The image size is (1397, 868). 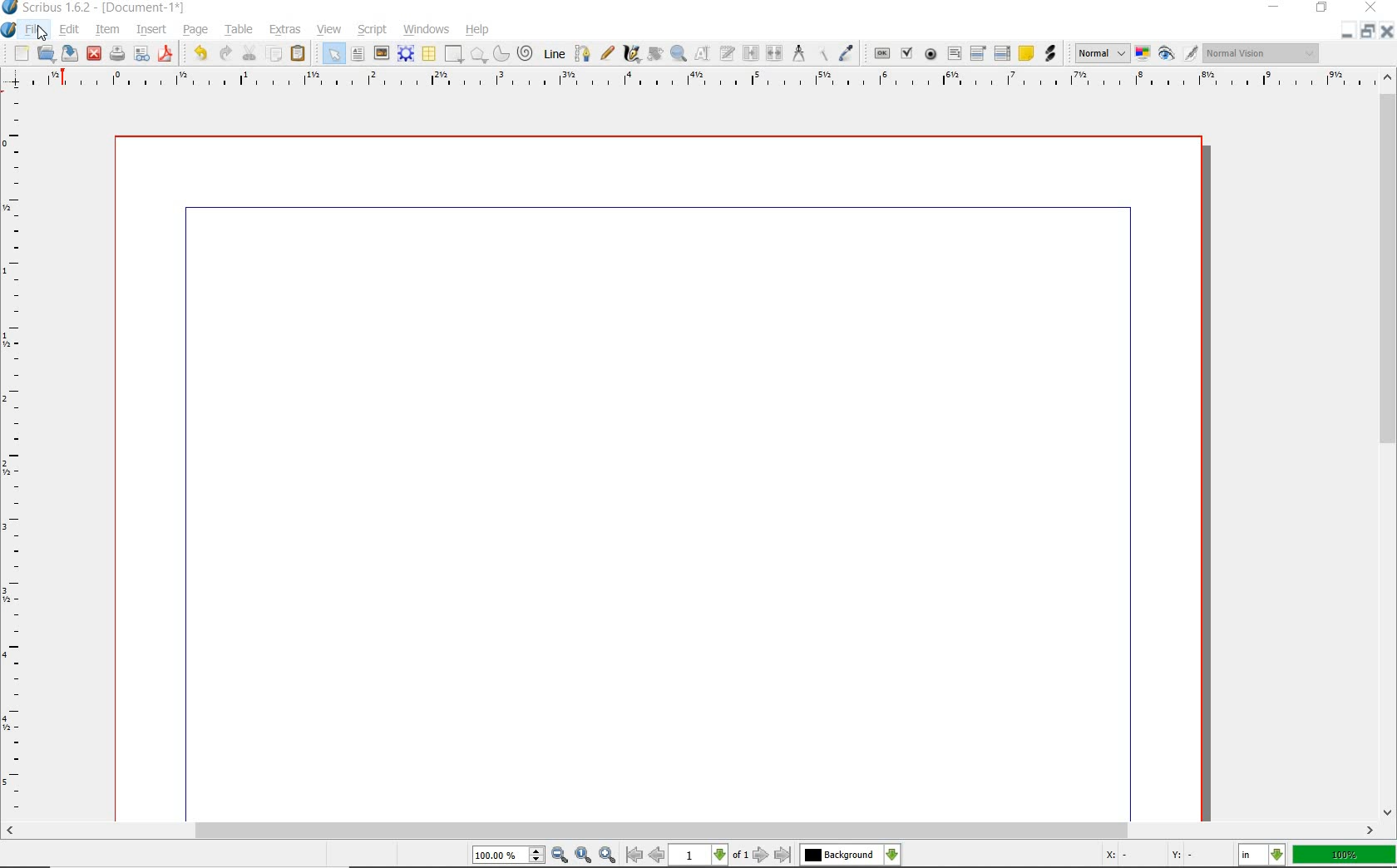 What do you see at coordinates (1148, 856) in the screenshot?
I see `coordinates` at bounding box center [1148, 856].